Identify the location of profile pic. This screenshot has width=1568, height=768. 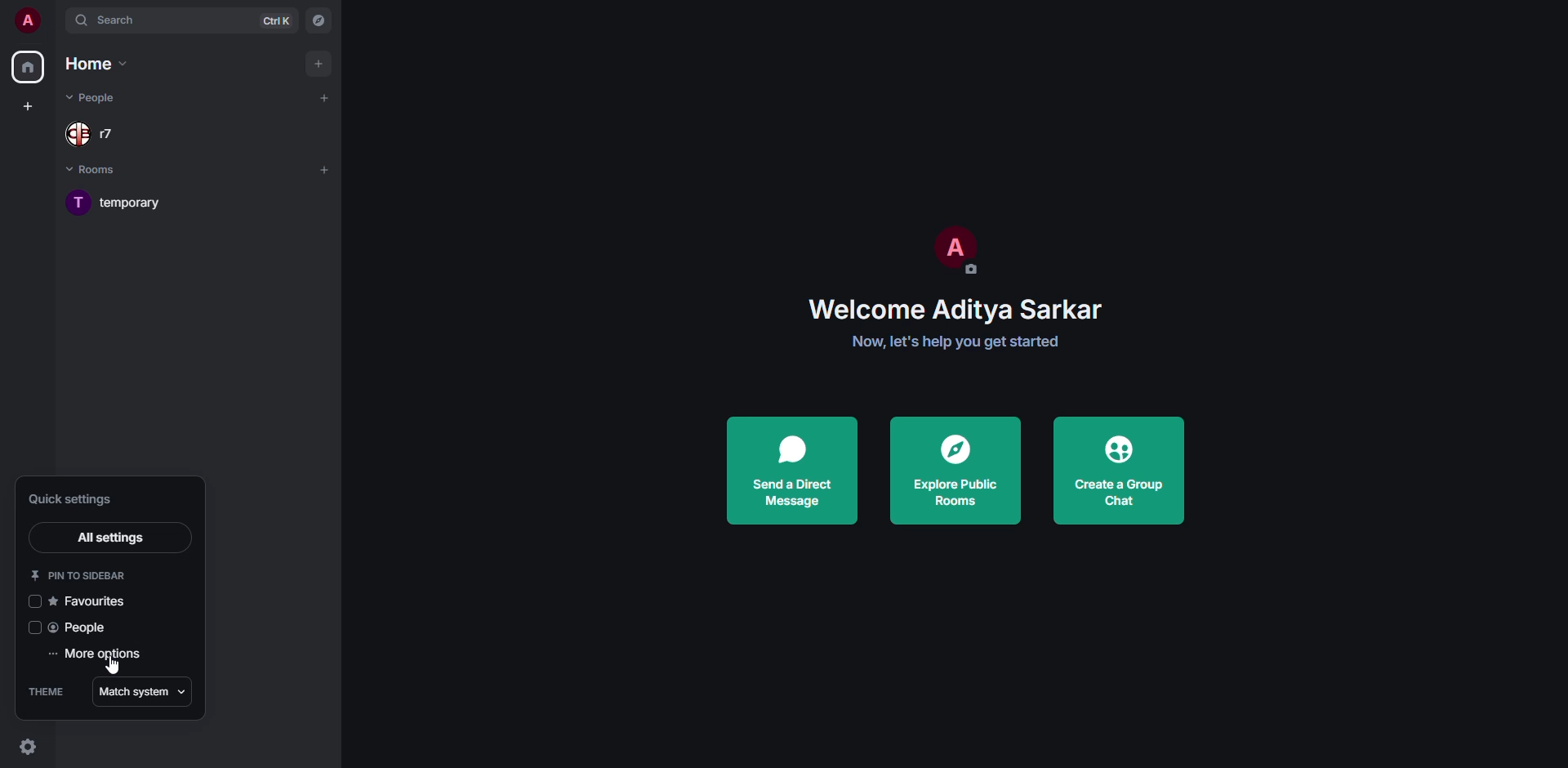
(953, 253).